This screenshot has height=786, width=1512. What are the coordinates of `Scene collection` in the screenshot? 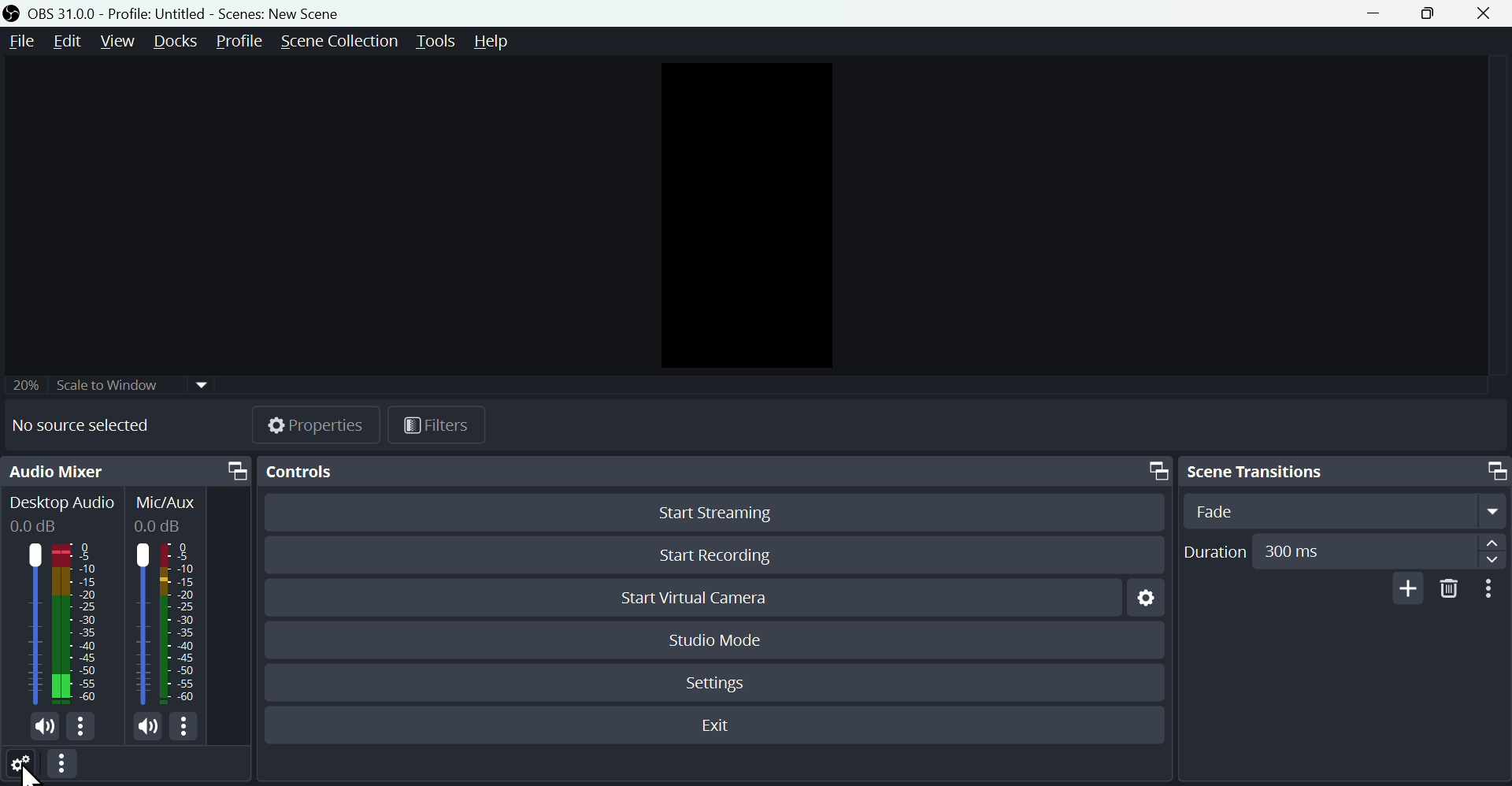 It's located at (338, 41).